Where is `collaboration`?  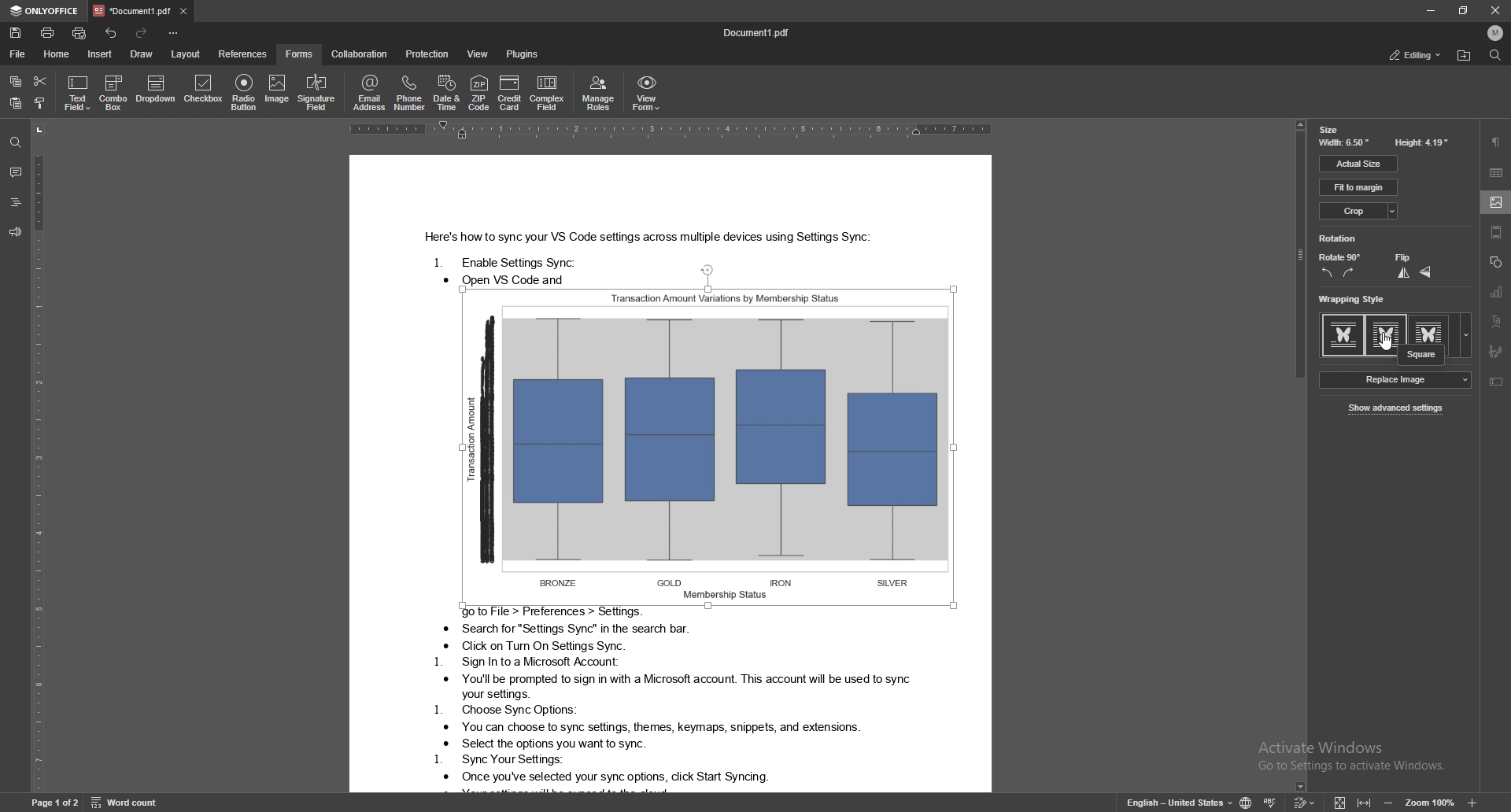 collaboration is located at coordinates (359, 54).